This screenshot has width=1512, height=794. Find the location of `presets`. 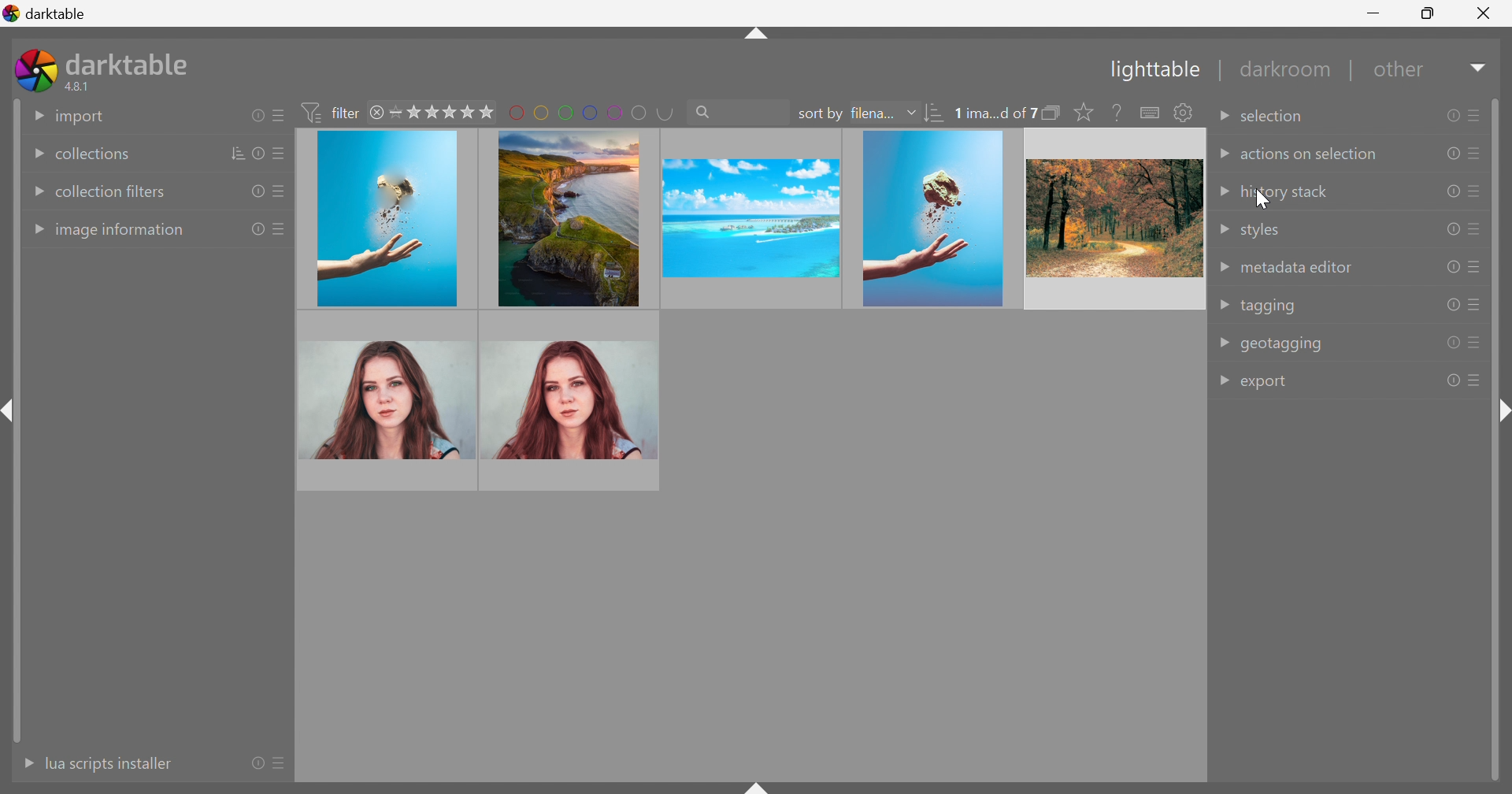

presets is located at coordinates (1475, 228).